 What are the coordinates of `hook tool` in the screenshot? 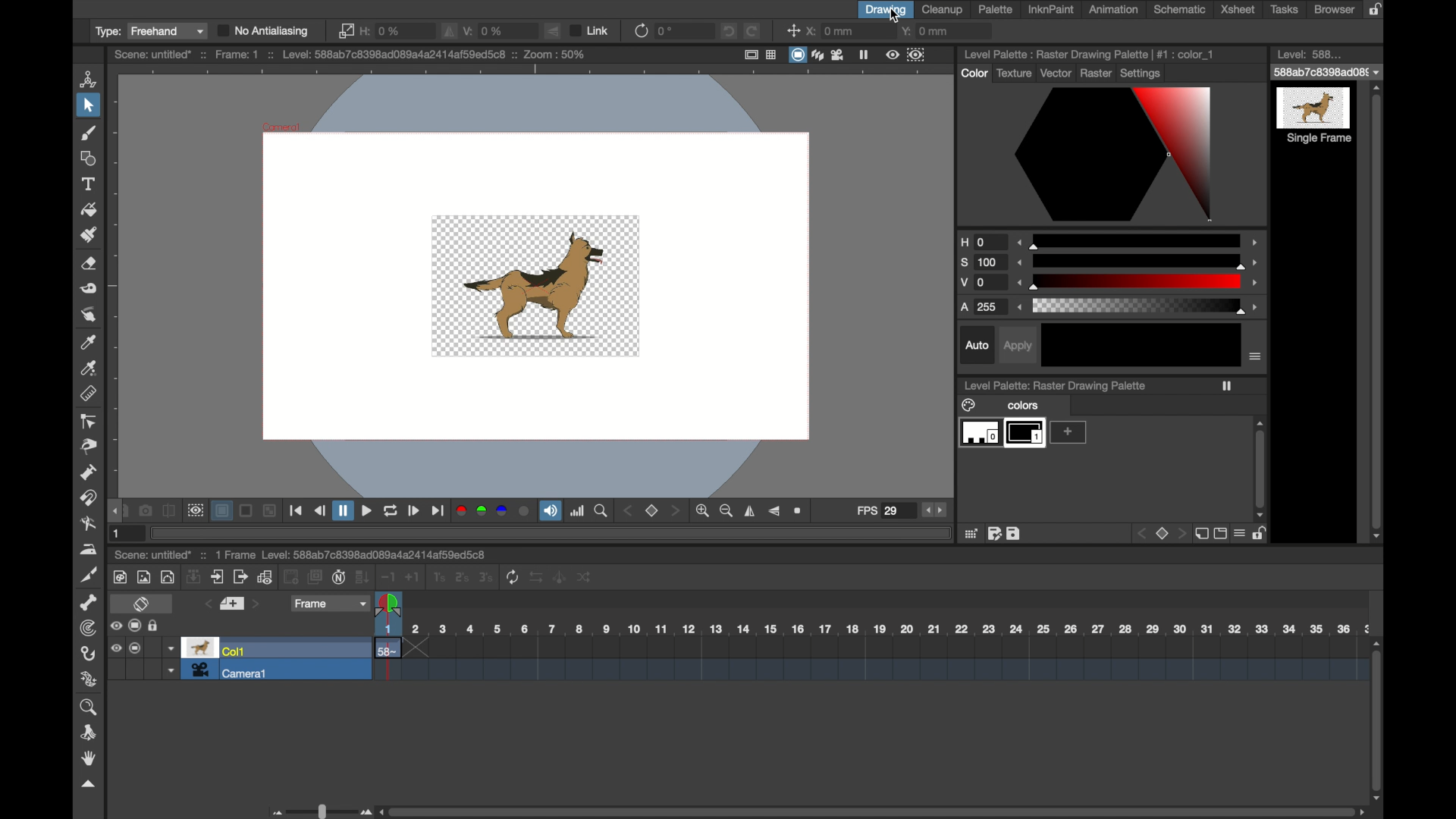 It's located at (89, 653).